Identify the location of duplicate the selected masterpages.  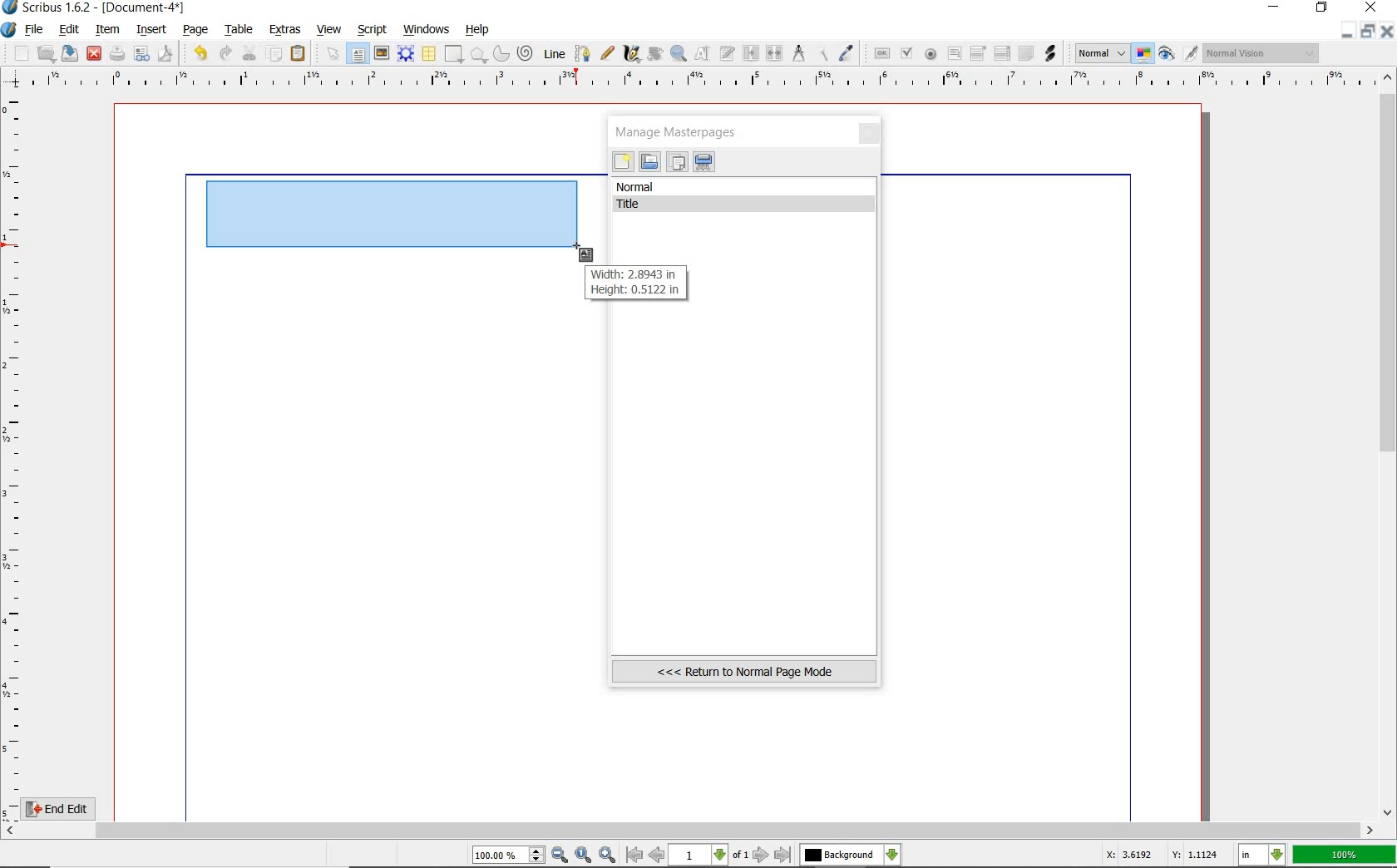
(677, 164).